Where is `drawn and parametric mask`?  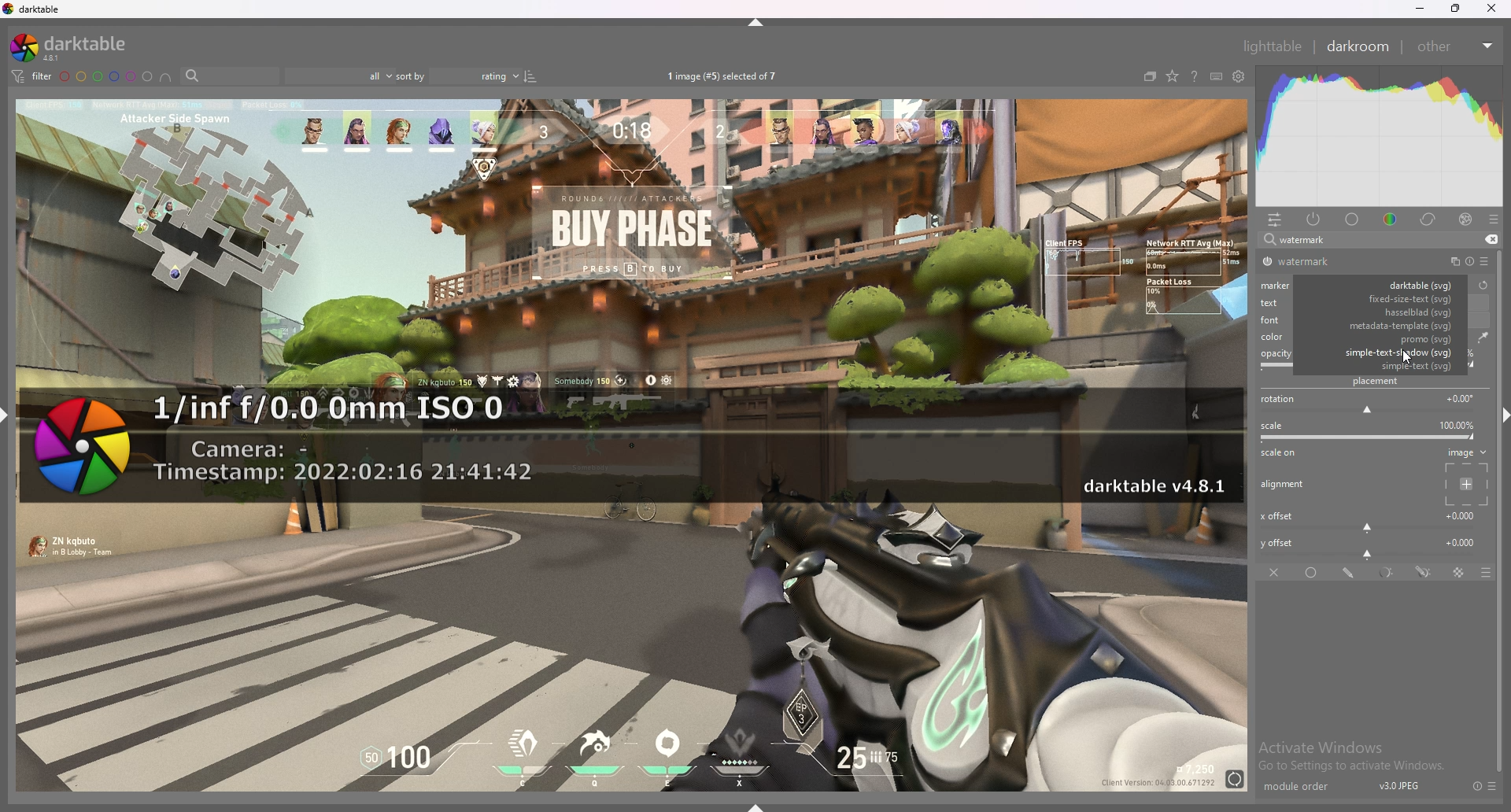
drawn and parametric mask is located at coordinates (1424, 571).